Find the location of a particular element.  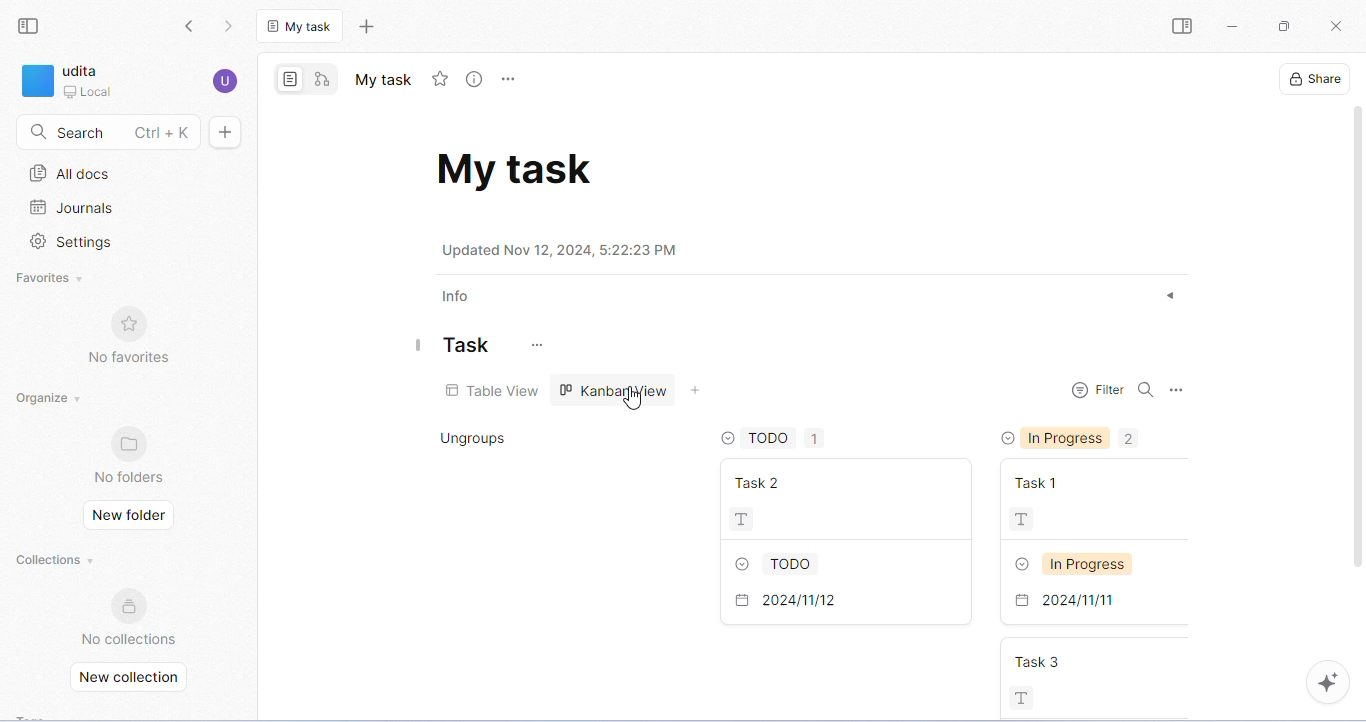

TODO is located at coordinates (833, 562).